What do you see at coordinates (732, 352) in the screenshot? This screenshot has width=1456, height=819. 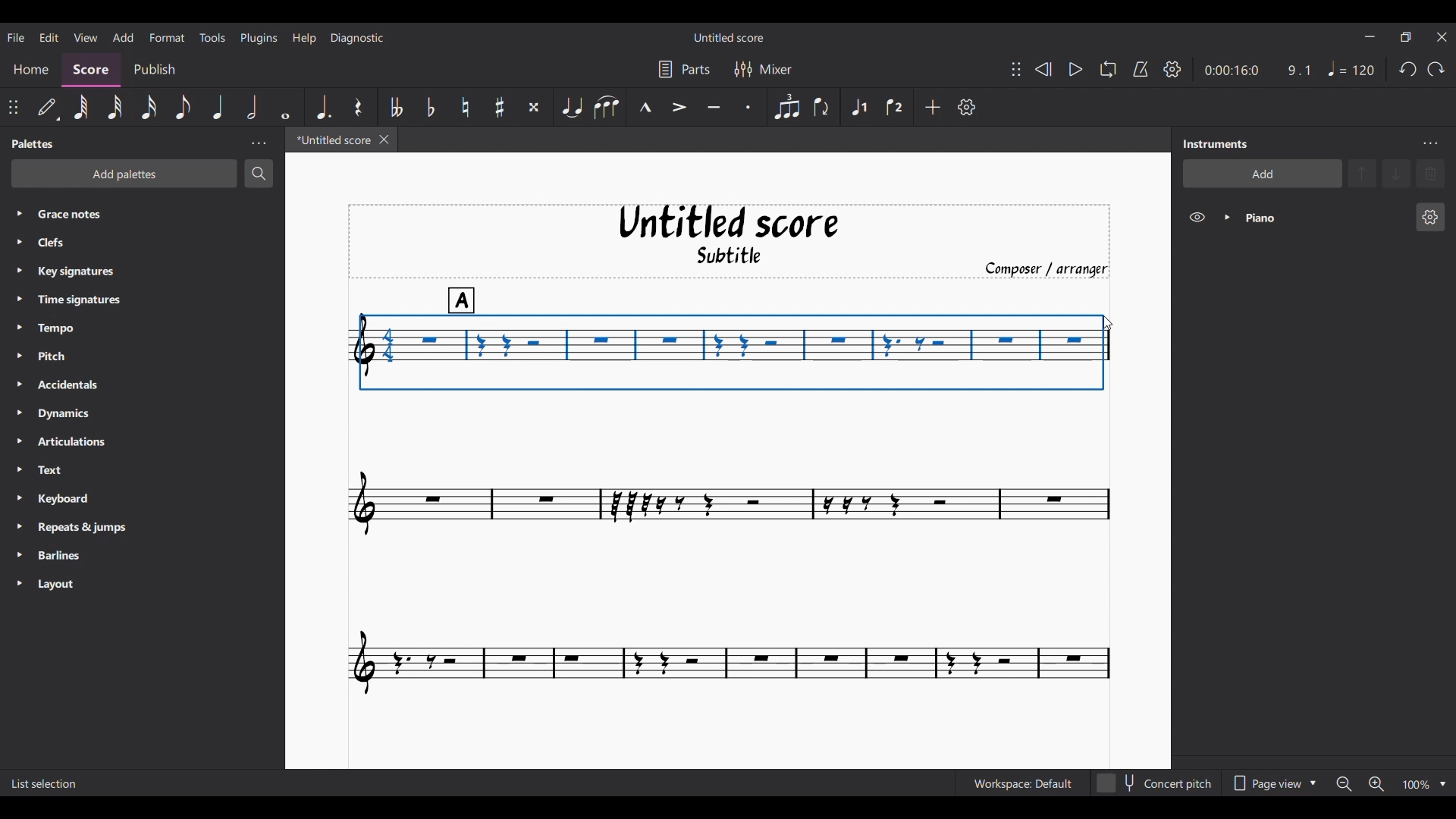 I see `Cursor selecting notes` at bounding box center [732, 352].